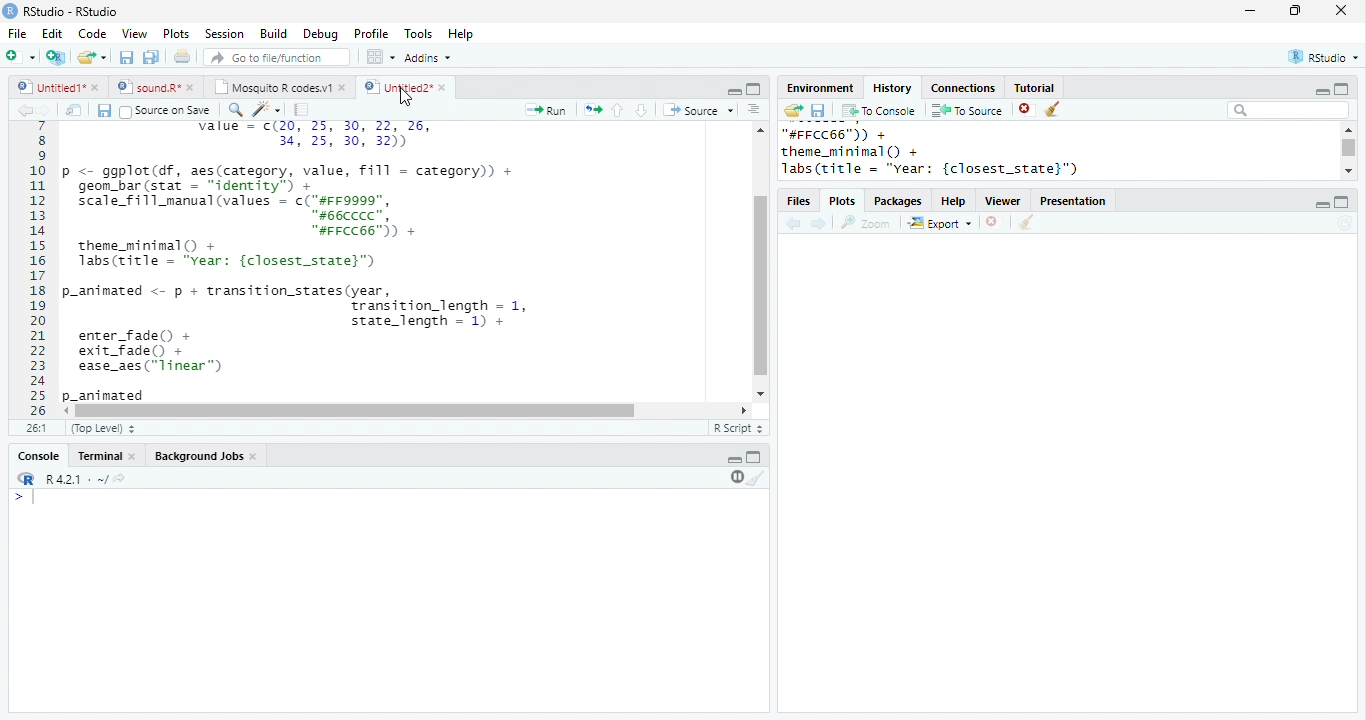 This screenshot has width=1366, height=720. I want to click on RStudio-RStudio, so click(71, 11).